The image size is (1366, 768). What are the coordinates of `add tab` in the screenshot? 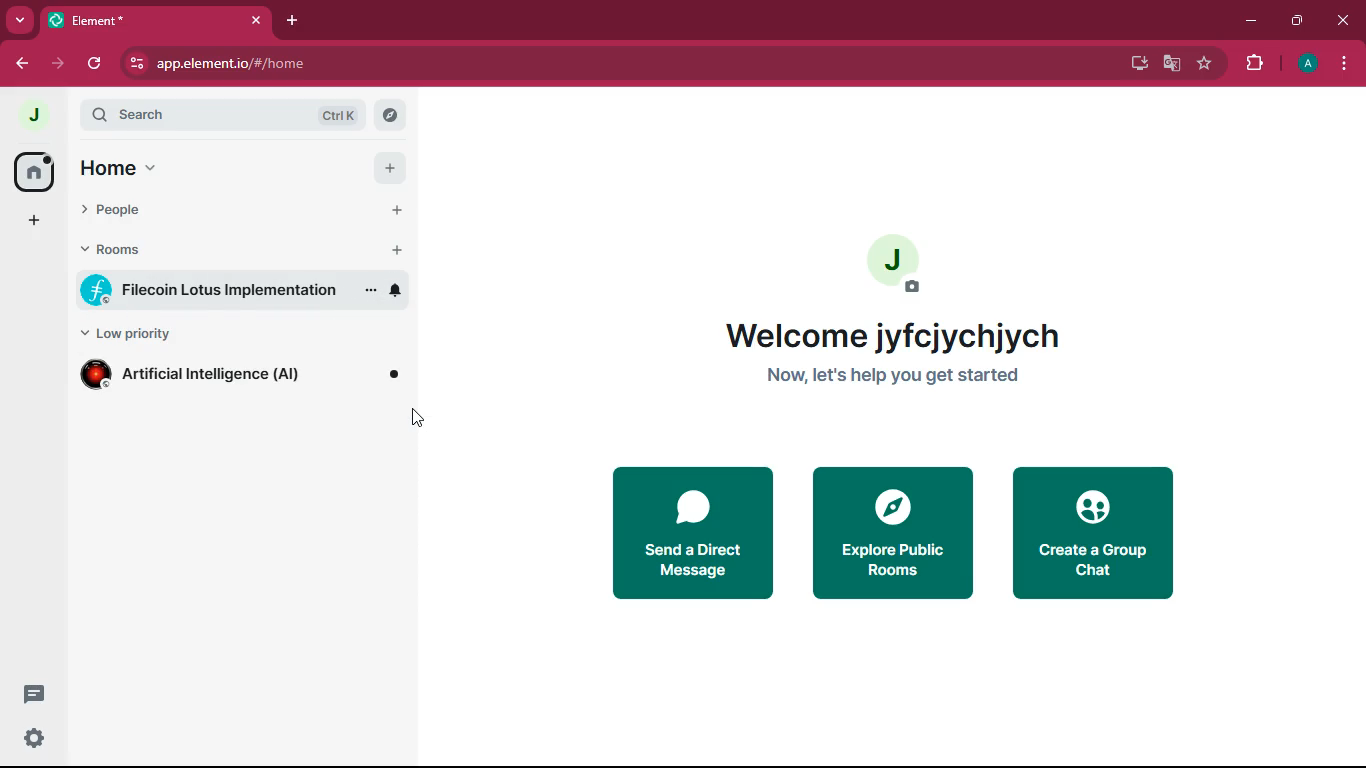 It's located at (296, 23).